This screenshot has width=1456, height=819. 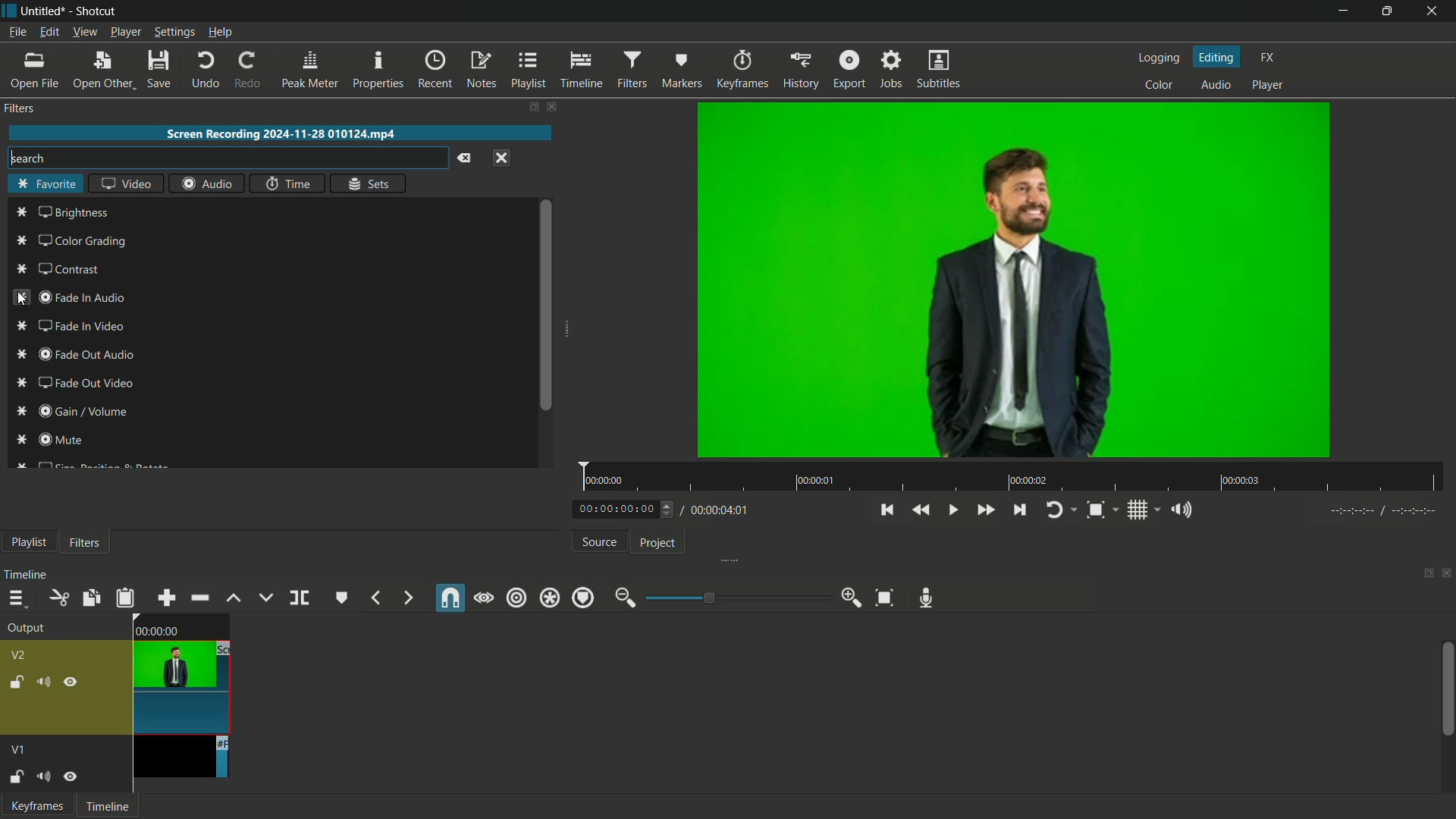 I want to click on time, so click(x=289, y=183).